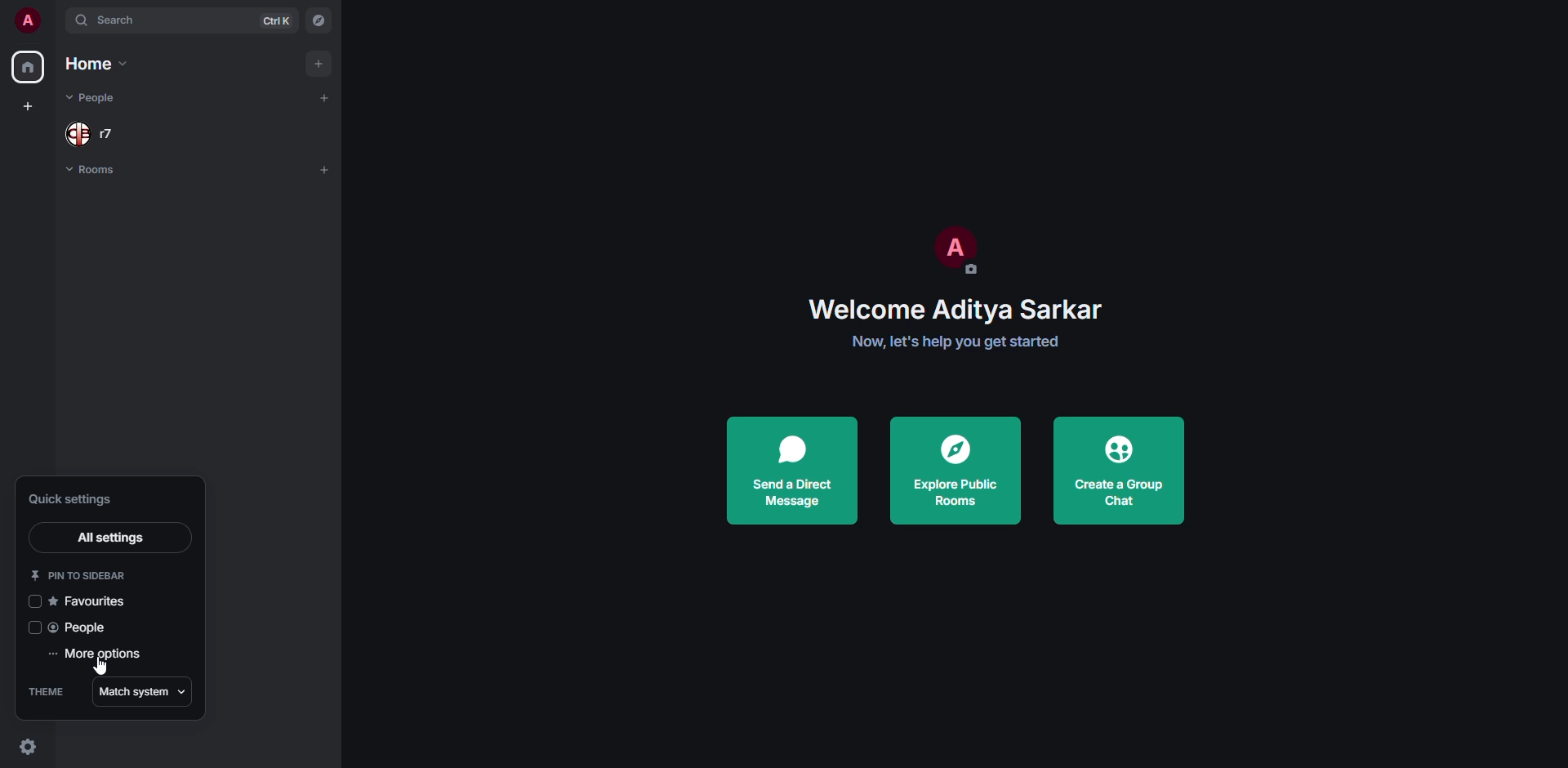 This screenshot has width=1568, height=768. I want to click on search, so click(118, 22).